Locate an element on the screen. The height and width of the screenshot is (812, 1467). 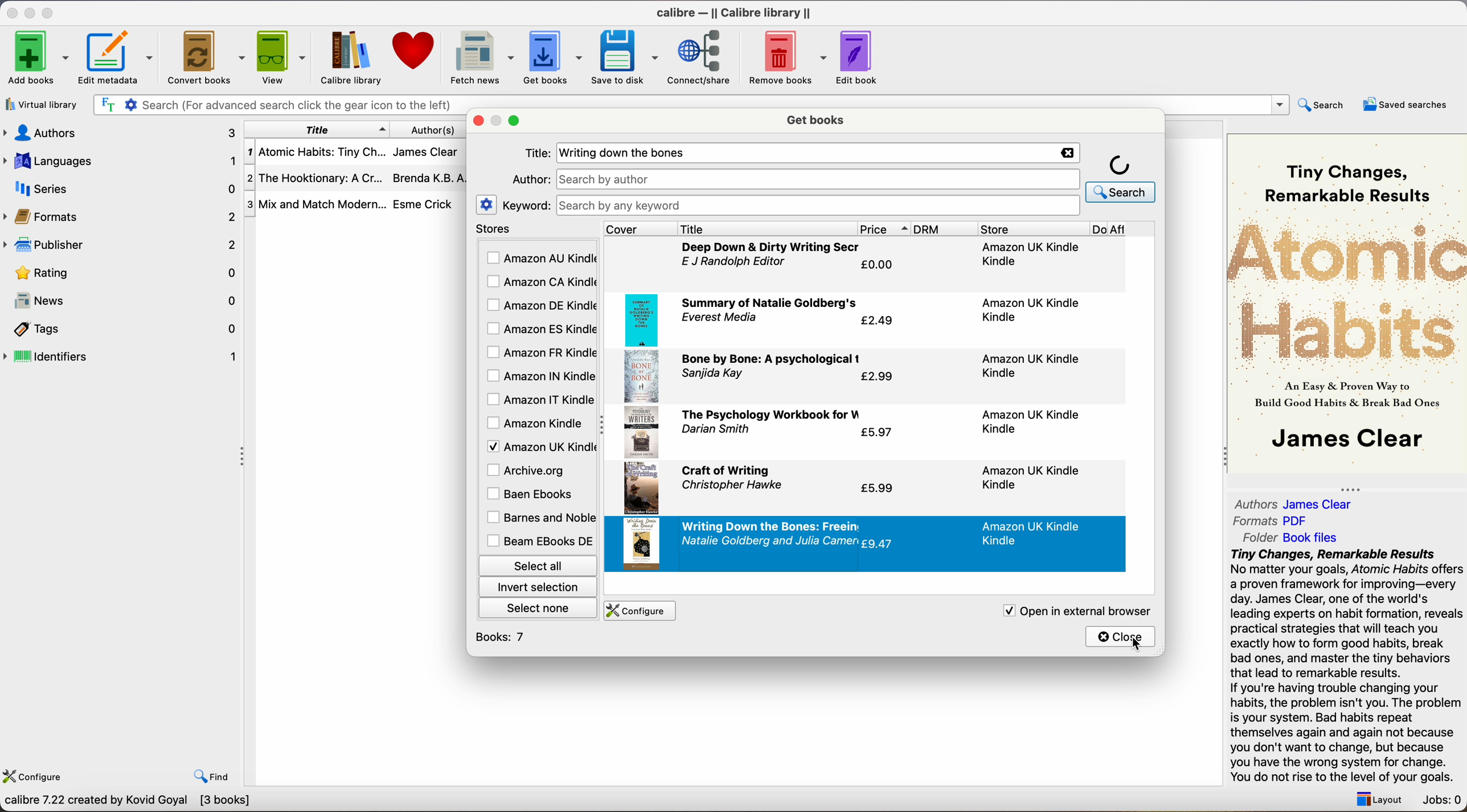
publisher is located at coordinates (123, 244).